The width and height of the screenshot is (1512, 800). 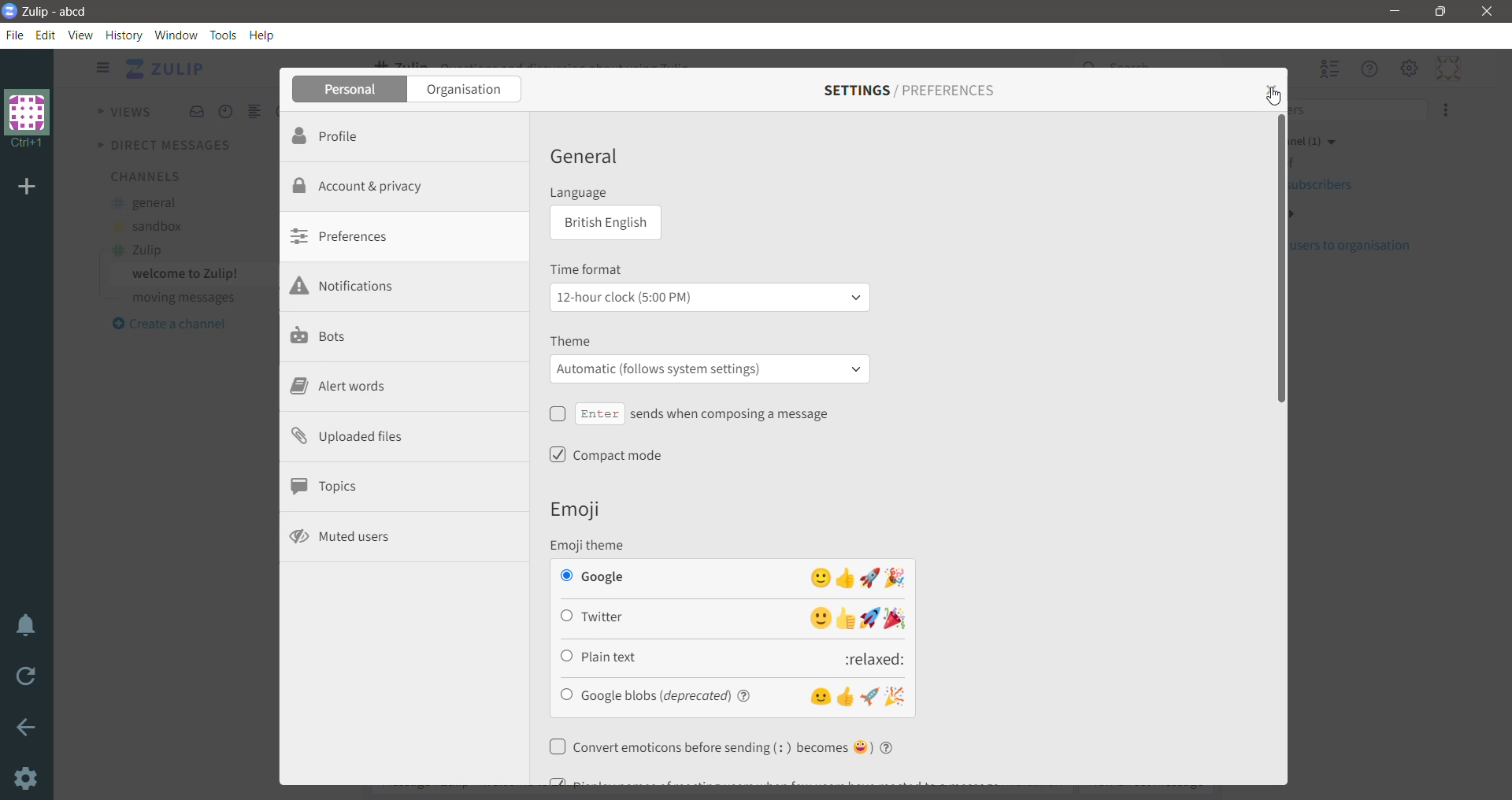 I want to click on Preferences, so click(x=355, y=236).